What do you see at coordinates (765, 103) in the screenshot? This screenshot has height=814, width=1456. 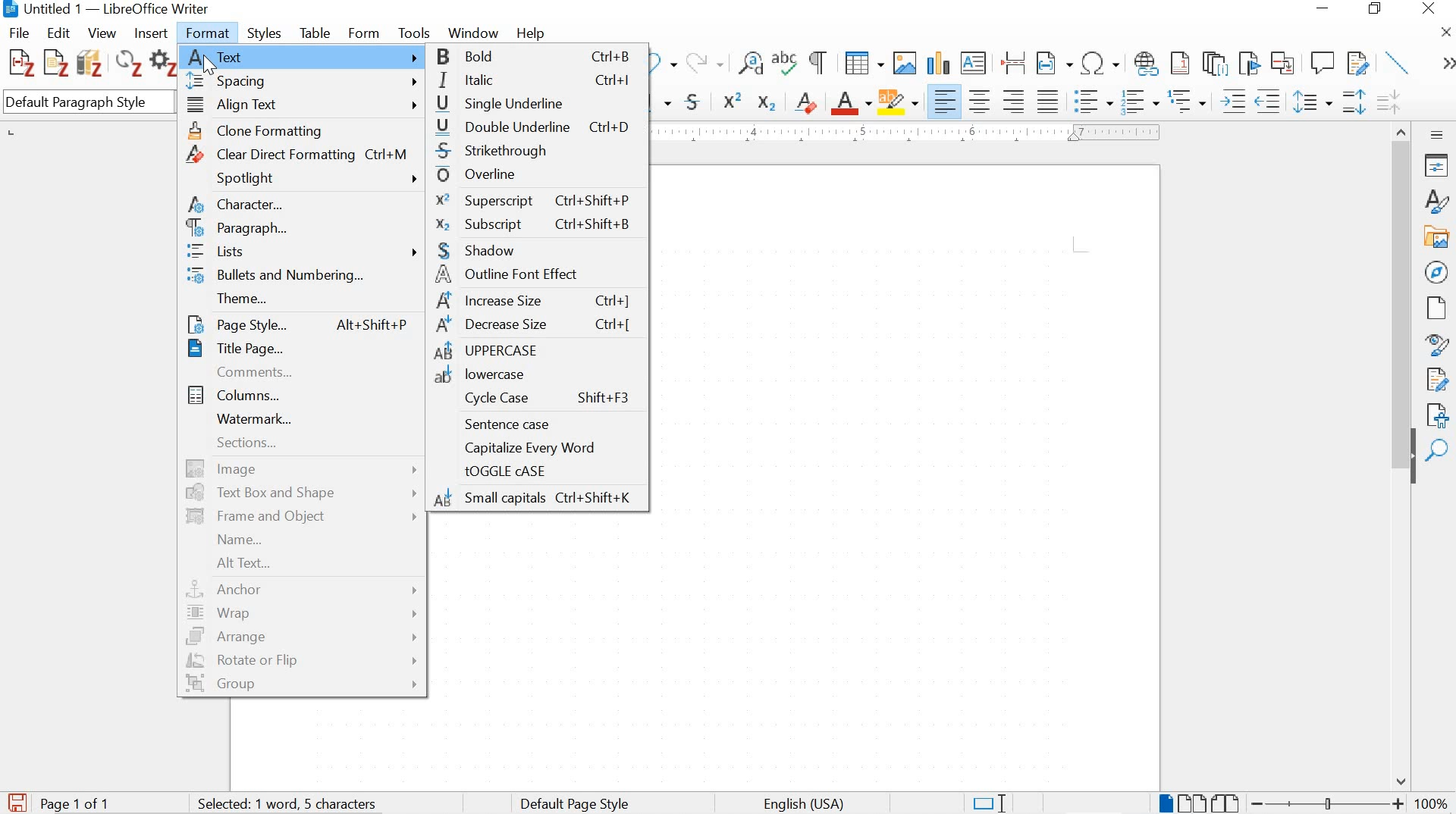 I see `subscript` at bounding box center [765, 103].